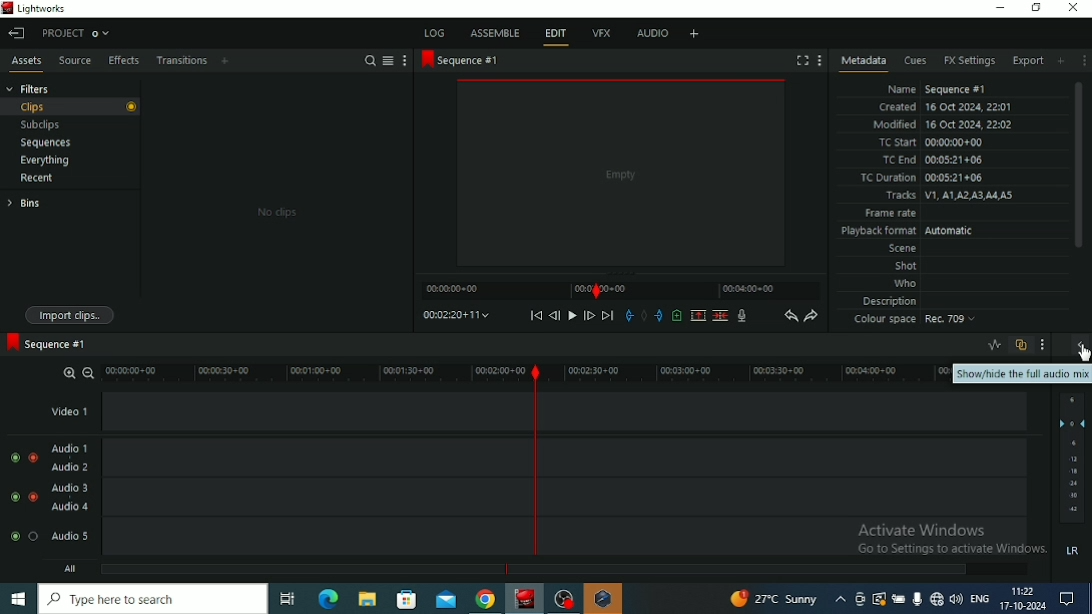 Image resolution: width=1092 pixels, height=614 pixels. Describe the element at coordinates (654, 33) in the screenshot. I see `AUDIO` at that location.